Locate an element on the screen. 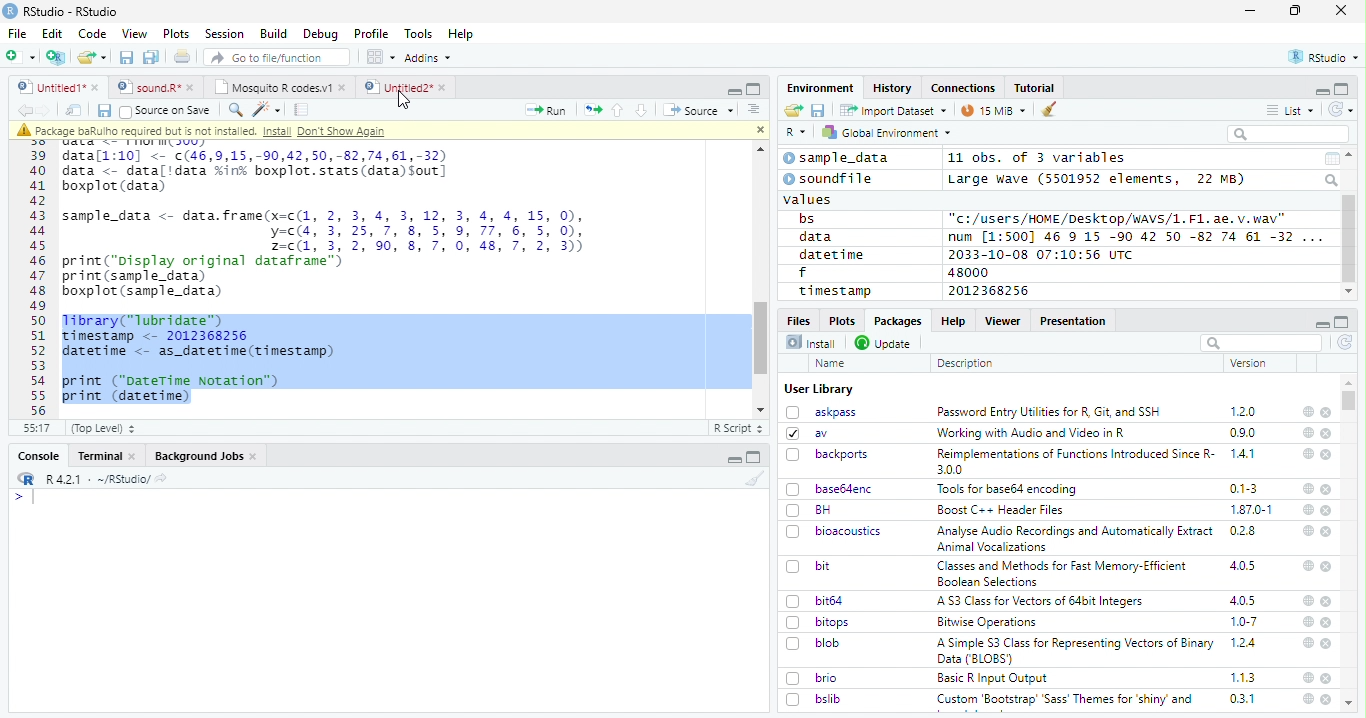  BH is located at coordinates (811, 510).